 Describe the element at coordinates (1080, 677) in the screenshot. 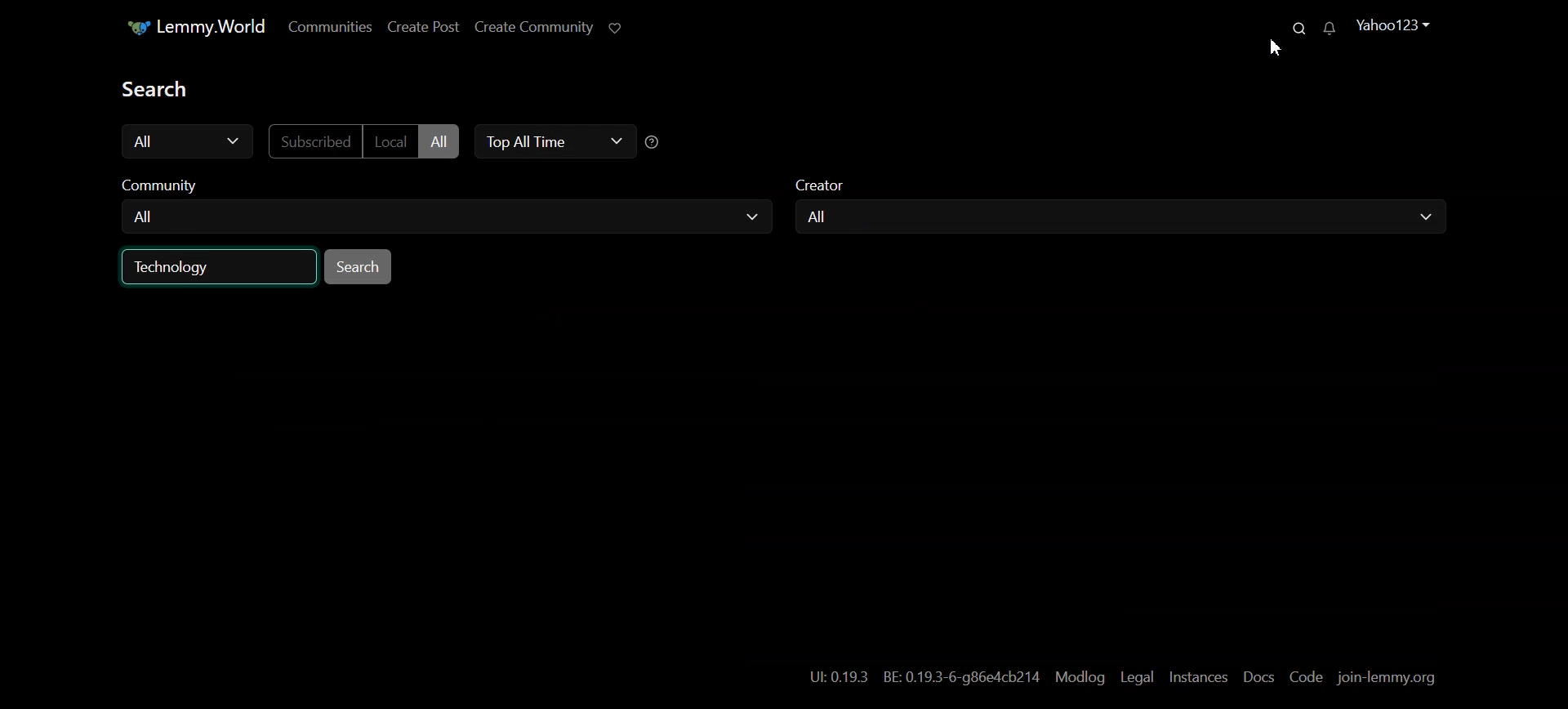

I see `Modlog` at that location.